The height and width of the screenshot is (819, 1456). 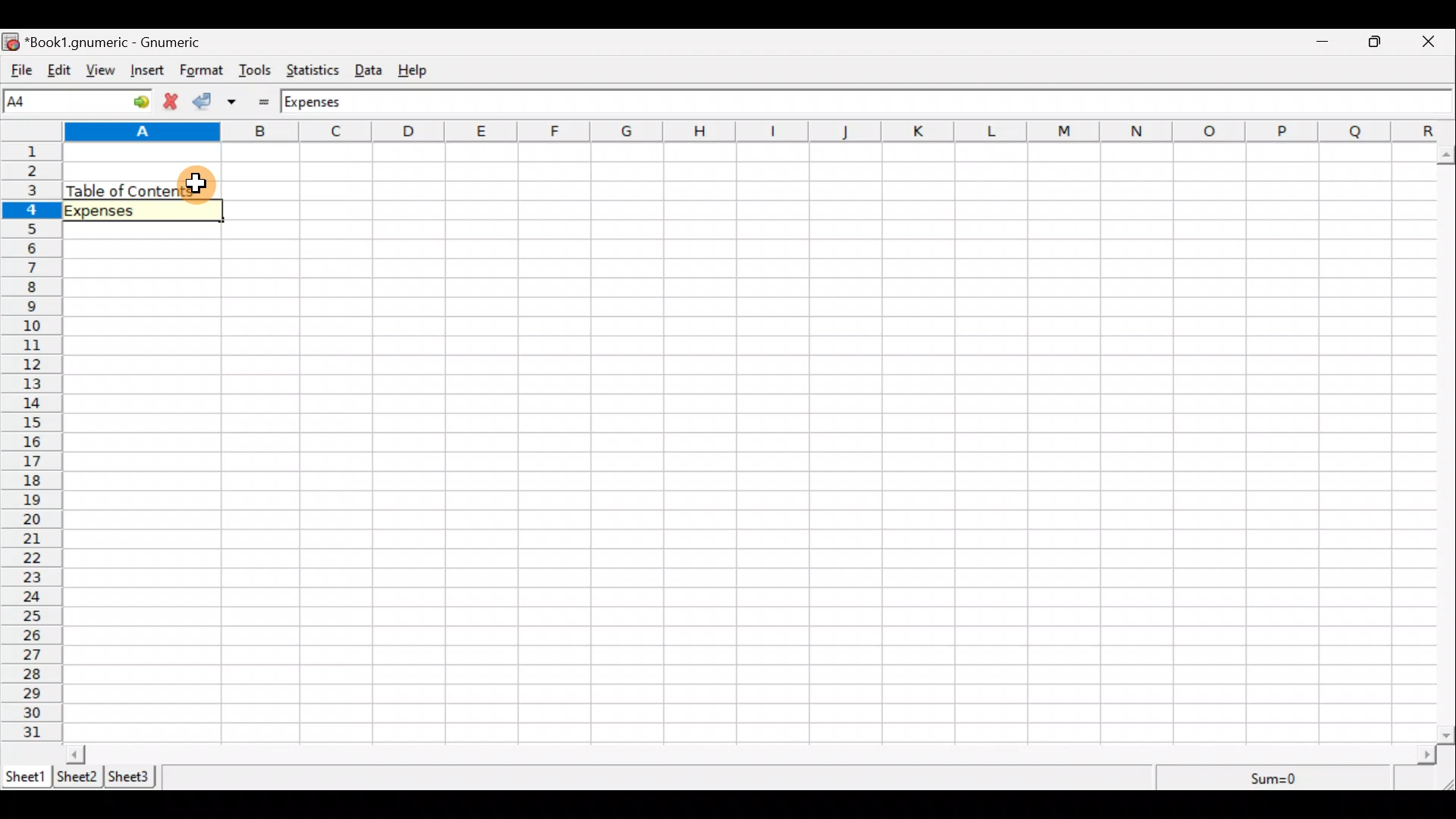 What do you see at coordinates (752, 754) in the screenshot?
I see `Scroll bar` at bounding box center [752, 754].